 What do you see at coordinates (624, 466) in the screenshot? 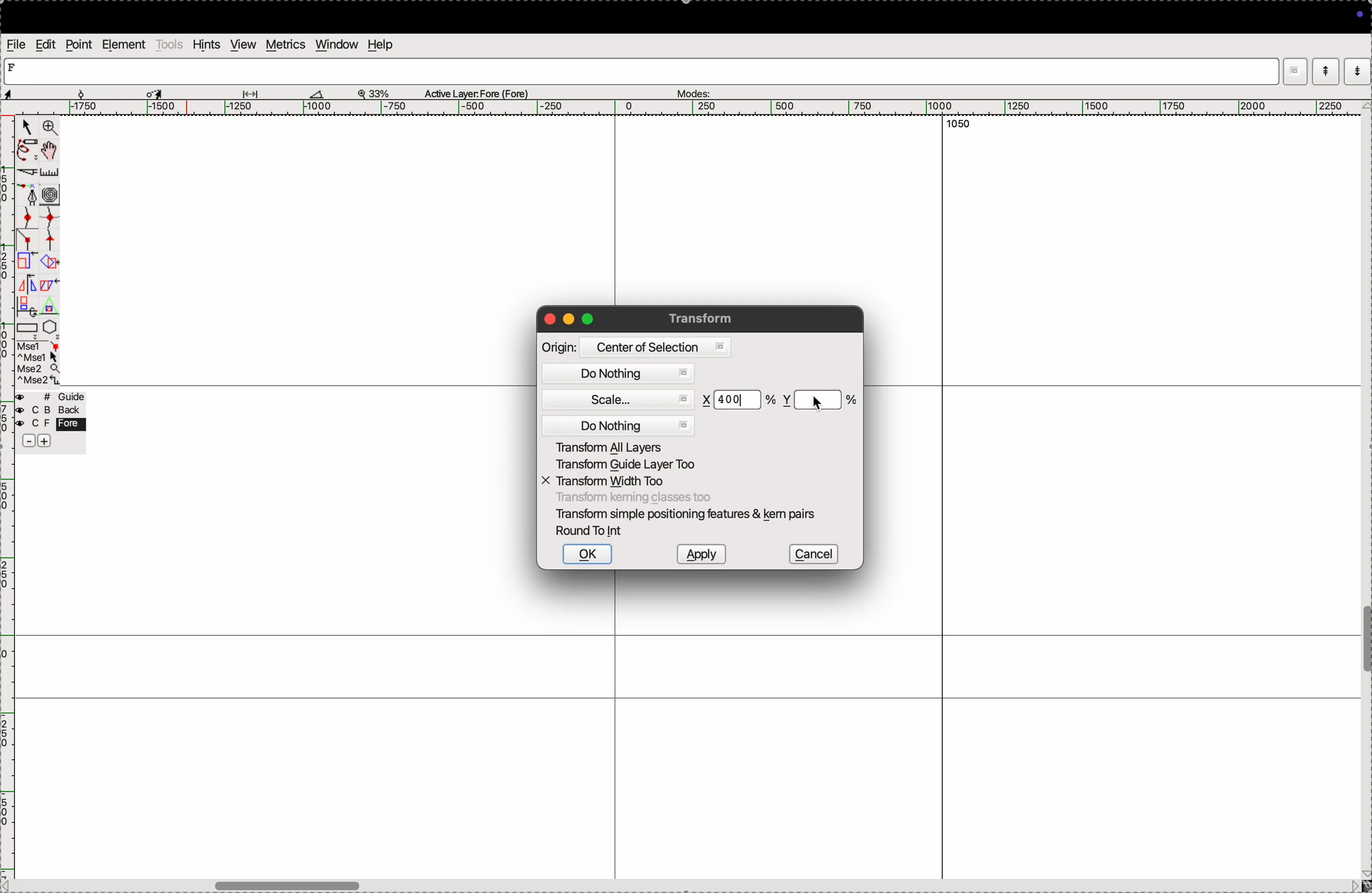
I see `trabsform guide layers` at bounding box center [624, 466].